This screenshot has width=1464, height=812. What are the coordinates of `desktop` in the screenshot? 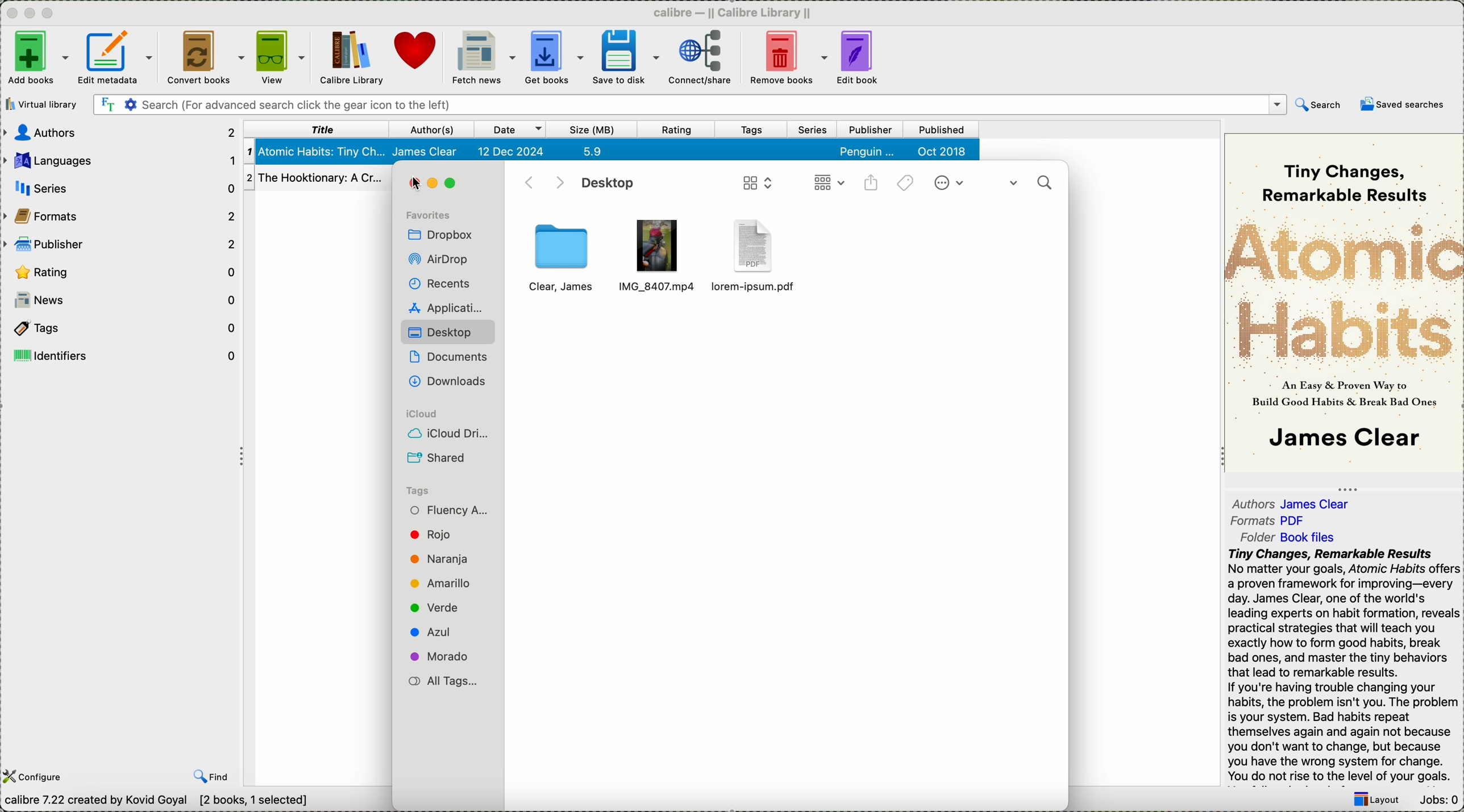 It's located at (443, 330).